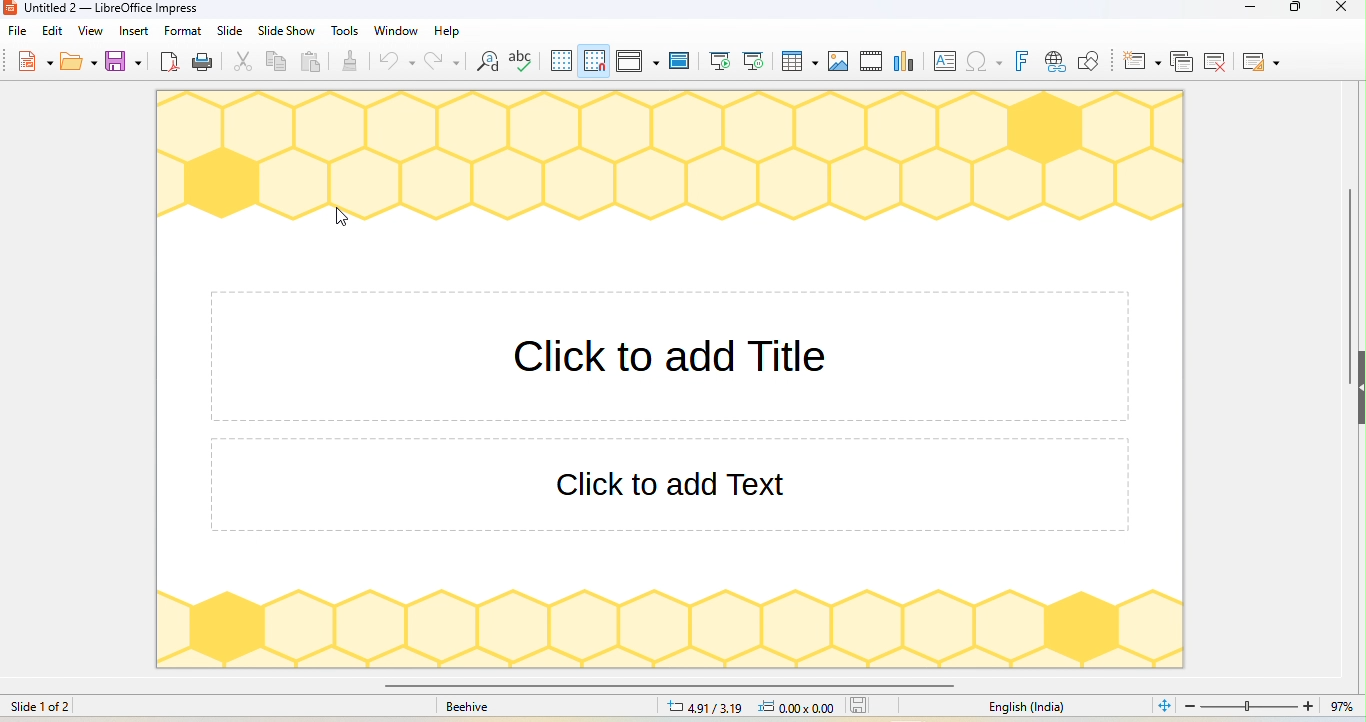 The width and height of the screenshot is (1366, 722). What do you see at coordinates (1338, 9) in the screenshot?
I see `close` at bounding box center [1338, 9].